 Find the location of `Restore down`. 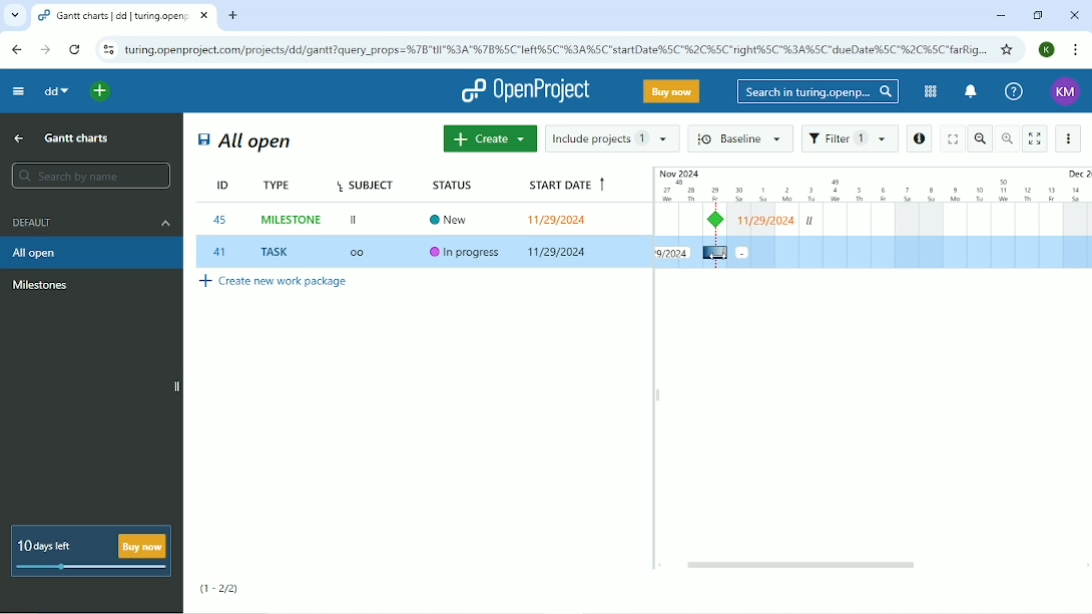

Restore down is located at coordinates (1039, 16).